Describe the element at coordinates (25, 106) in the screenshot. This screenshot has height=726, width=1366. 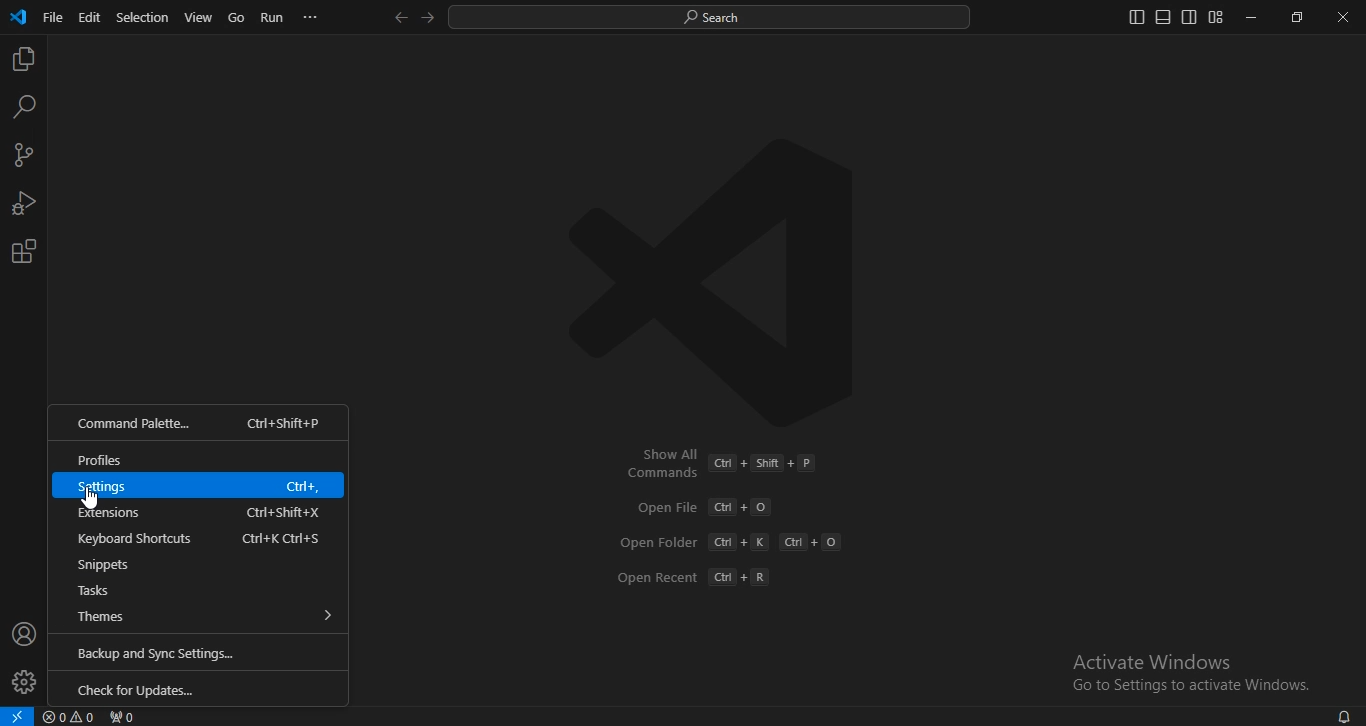
I see `search` at that location.